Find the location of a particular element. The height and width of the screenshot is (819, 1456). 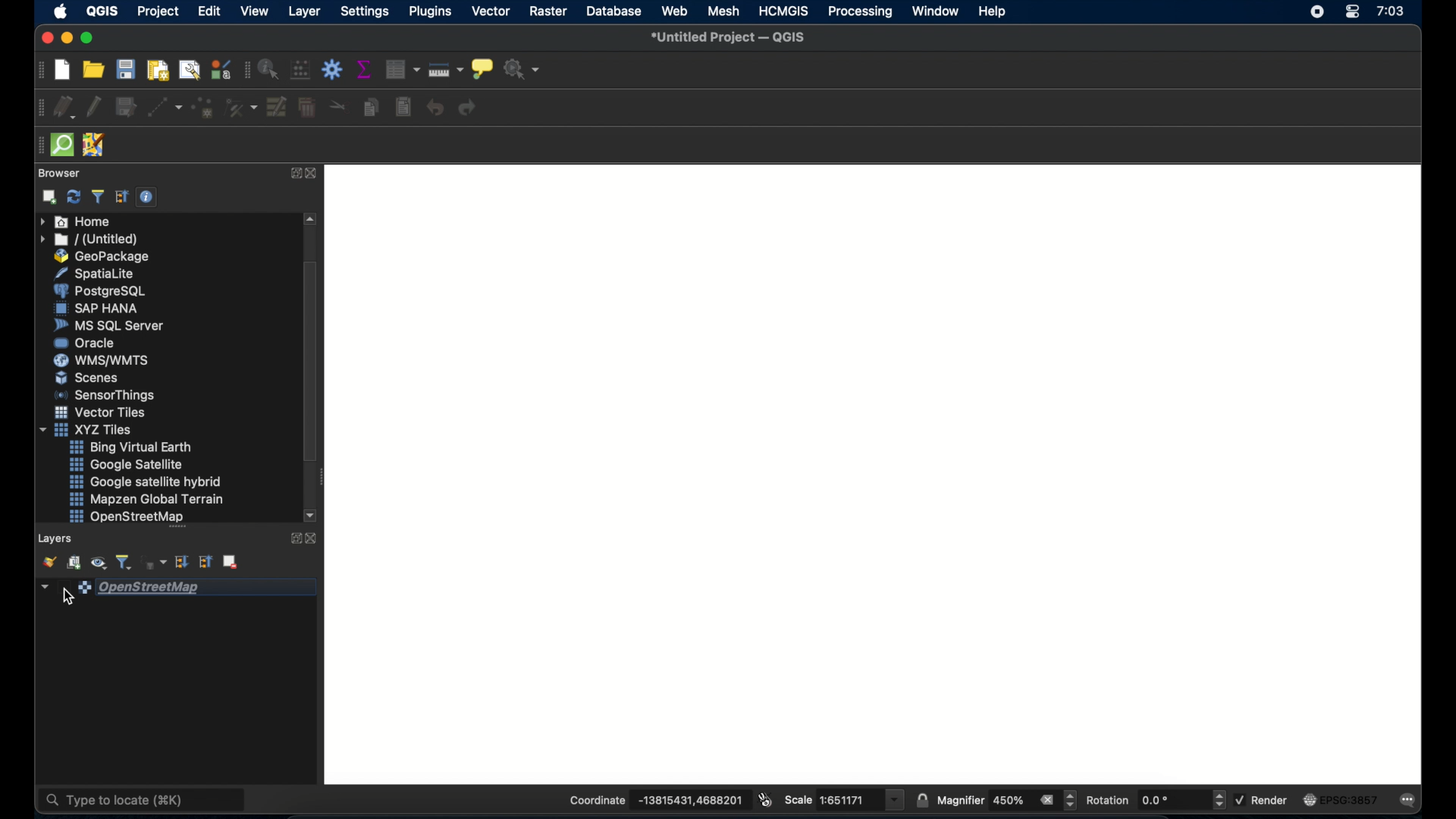

expand is located at coordinates (293, 539).